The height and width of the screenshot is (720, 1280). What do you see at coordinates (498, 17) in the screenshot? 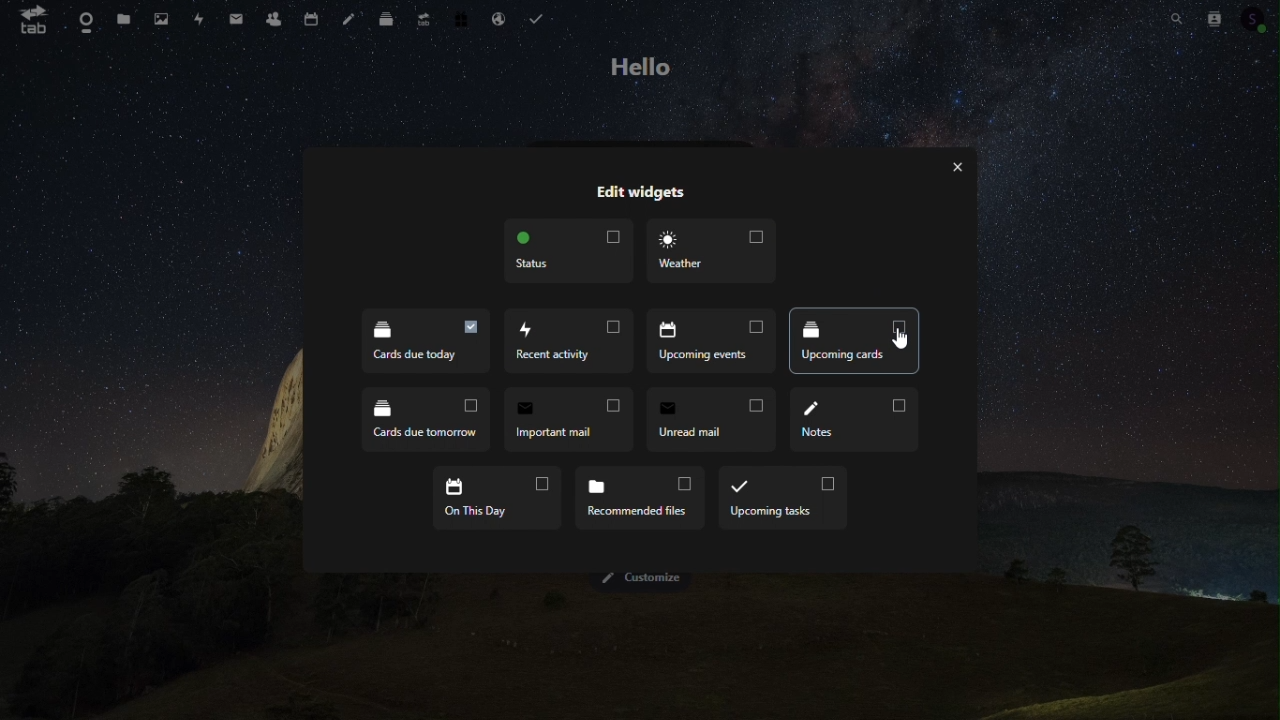
I see `Email hosting` at bounding box center [498, 17].